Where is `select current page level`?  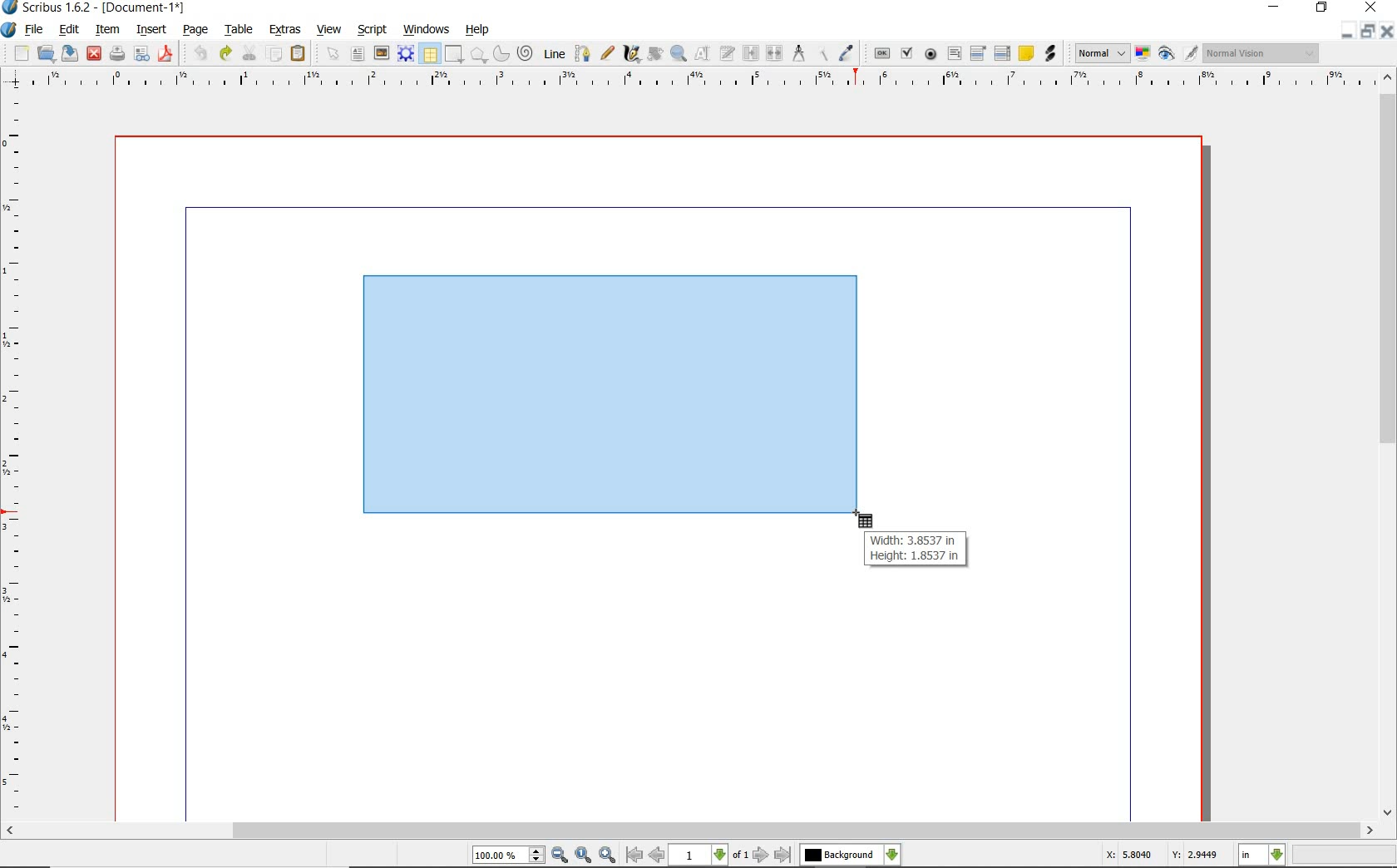
select current page level is located at coordinates (709, 855).